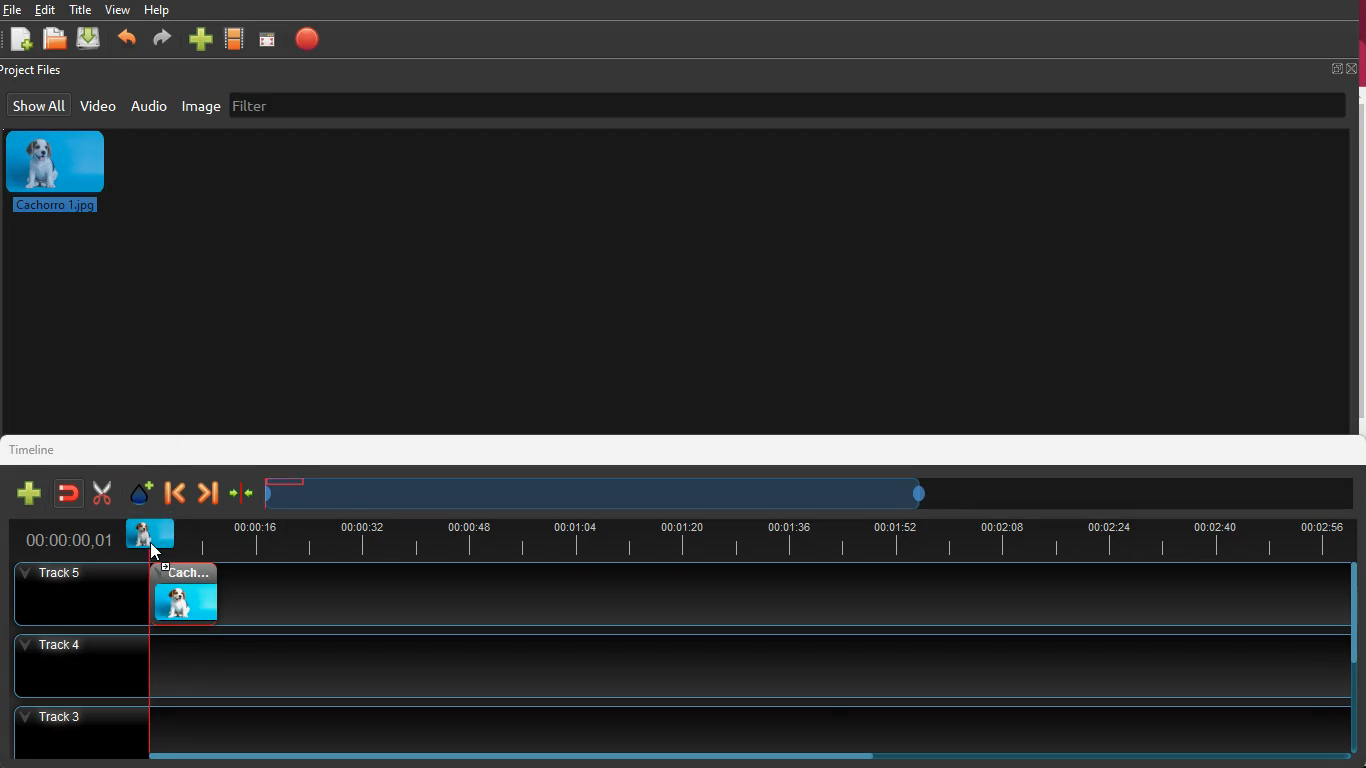 Image resolution: width=1366 pixels, height=768 pixels. I want to click on timeframe, so click(597, 491).